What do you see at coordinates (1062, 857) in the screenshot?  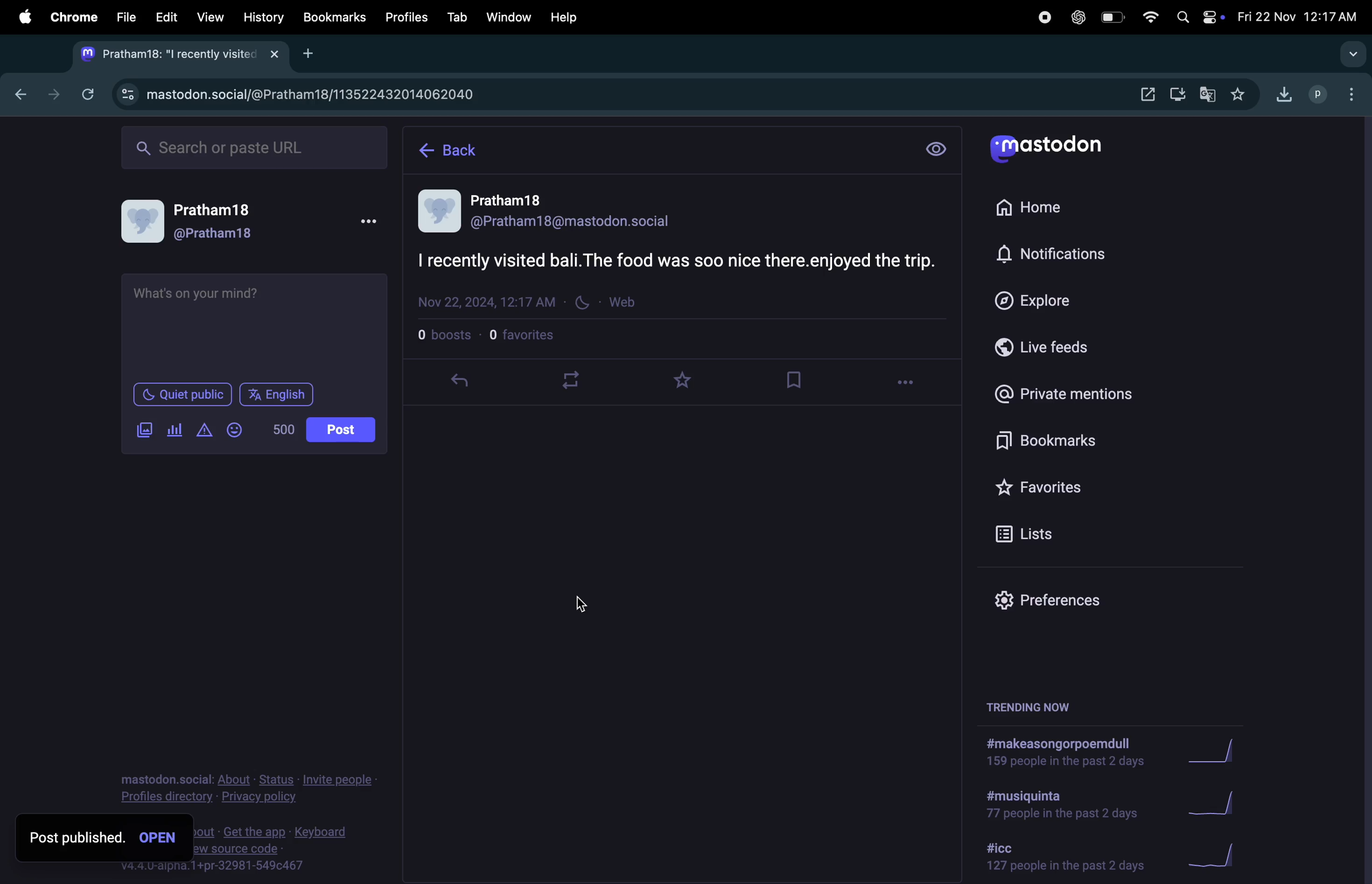 I see `hashtag` at bounding box center [1062, 857].